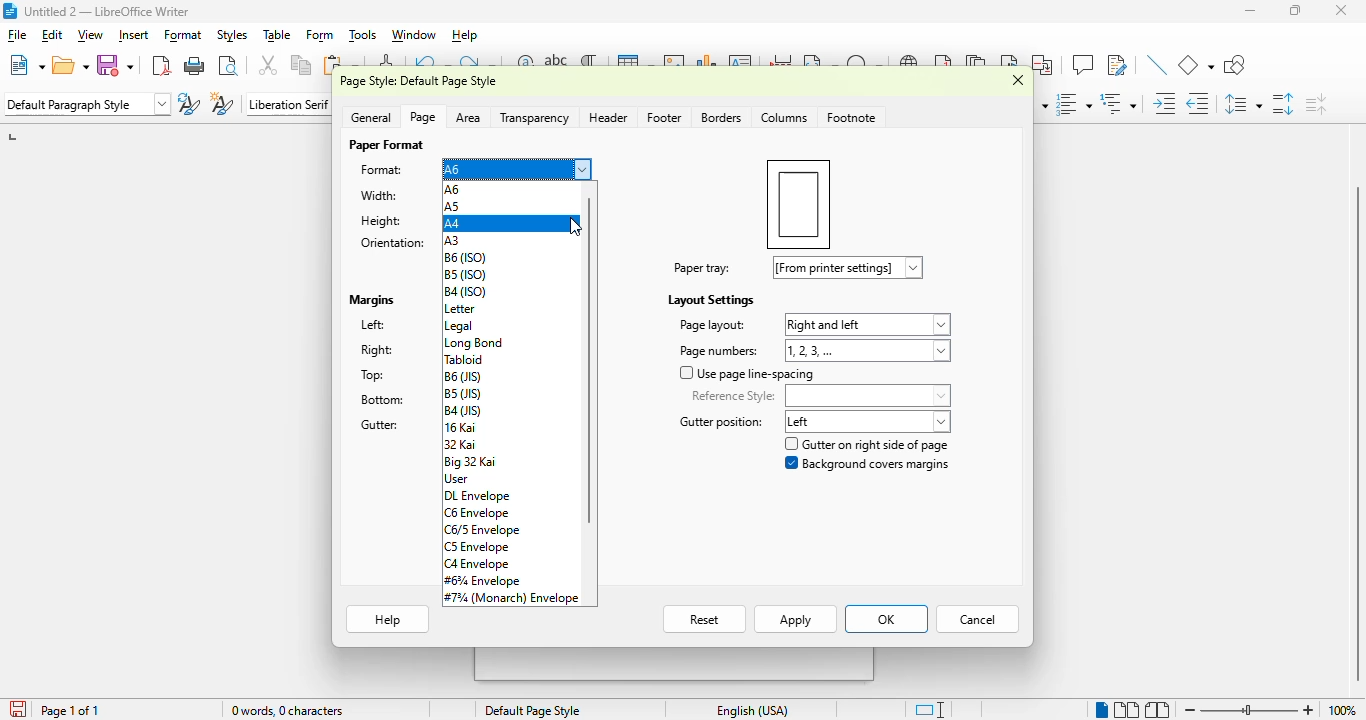 The height and width of the screenshot is (720, 1366). I want to click on apply, so click(795, 619).